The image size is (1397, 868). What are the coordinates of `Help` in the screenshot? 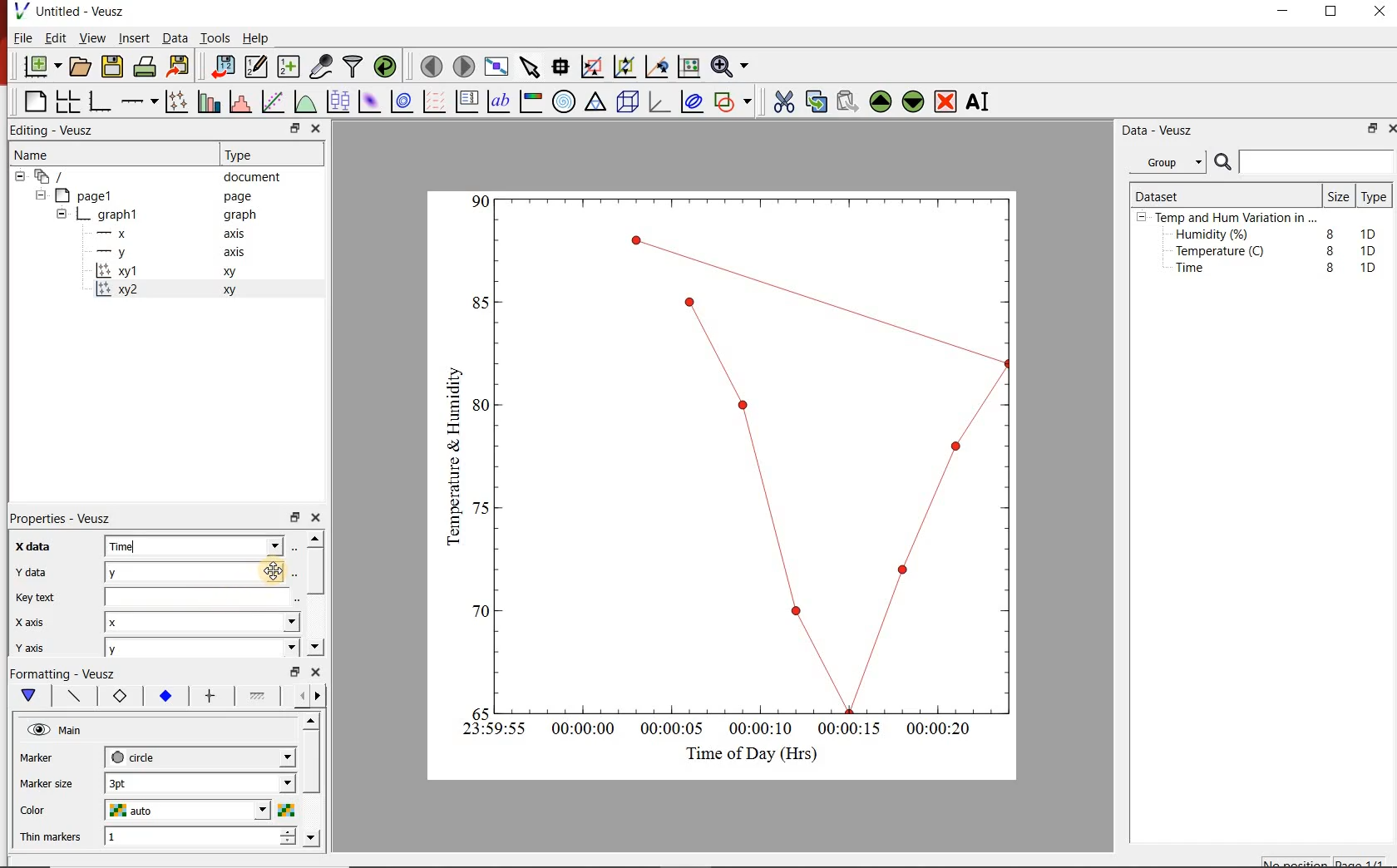 It's located at (257, 37).